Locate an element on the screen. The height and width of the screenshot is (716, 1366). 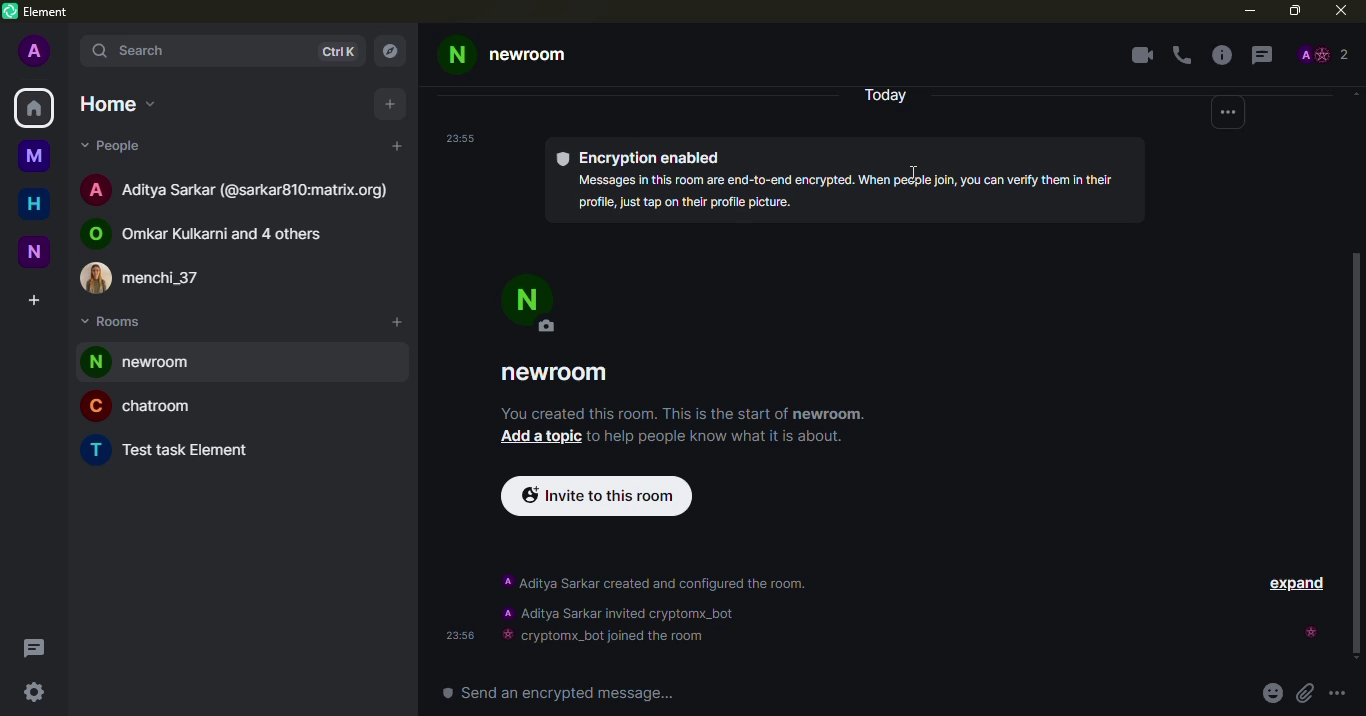
element is located at coordinates (38, 12).